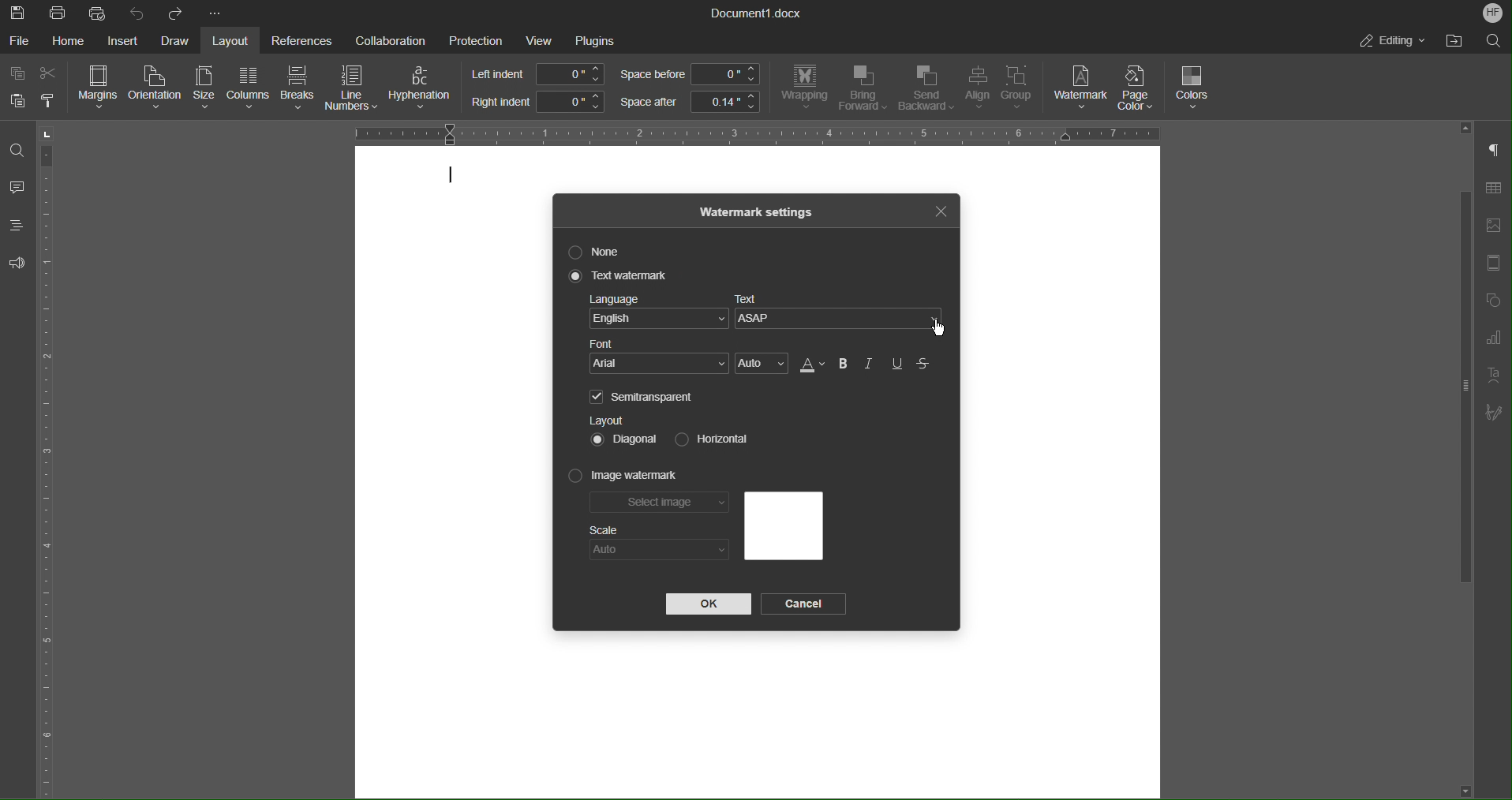 Image resolution: width=1512 pixels, height=800 pixels. What do you see at coordinates (541, 40) in the screenshot?
I see `View` at bounding box center [541, 40].